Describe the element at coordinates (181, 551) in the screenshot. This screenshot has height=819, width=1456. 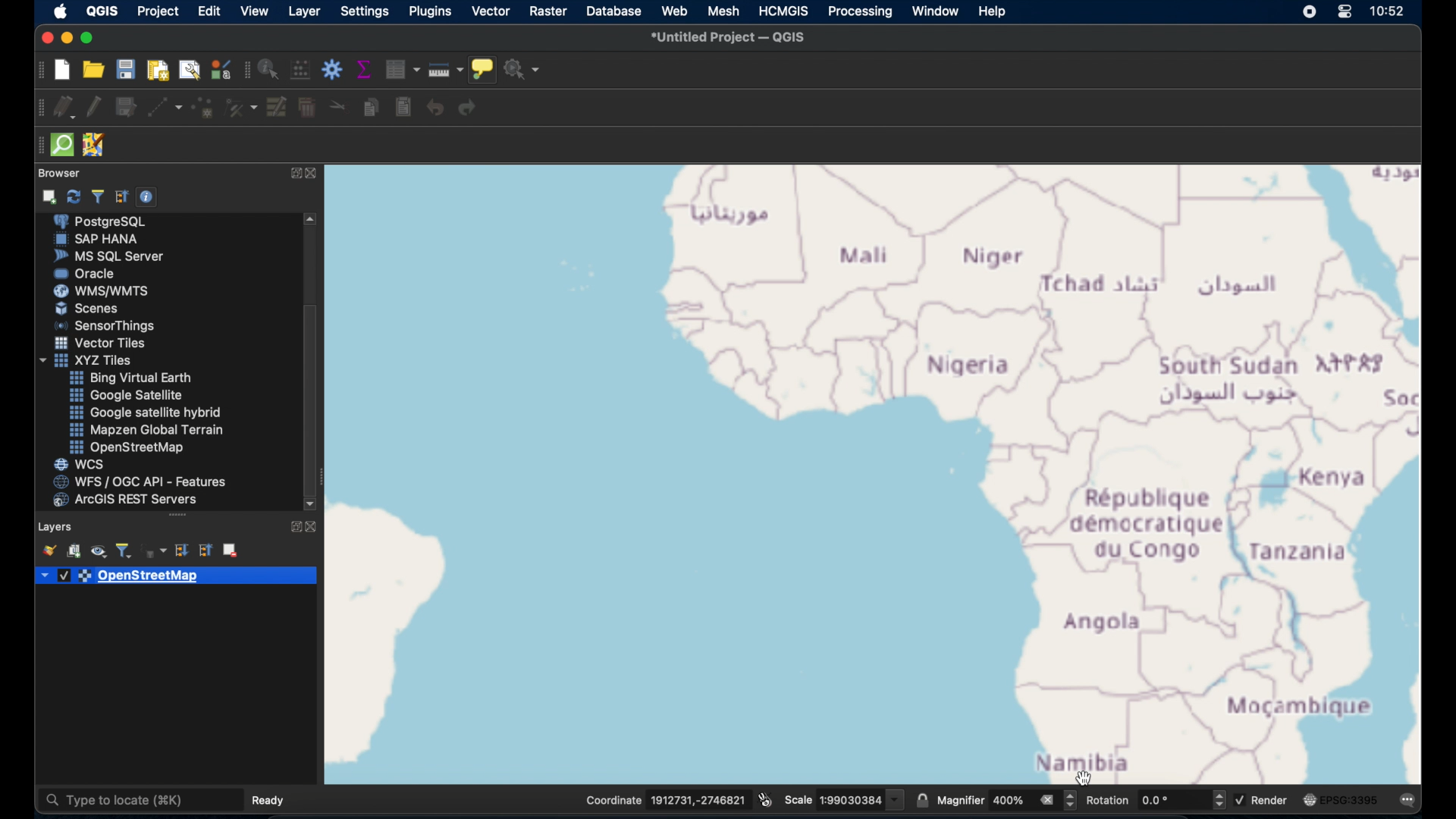
I see `expand all` at that location.